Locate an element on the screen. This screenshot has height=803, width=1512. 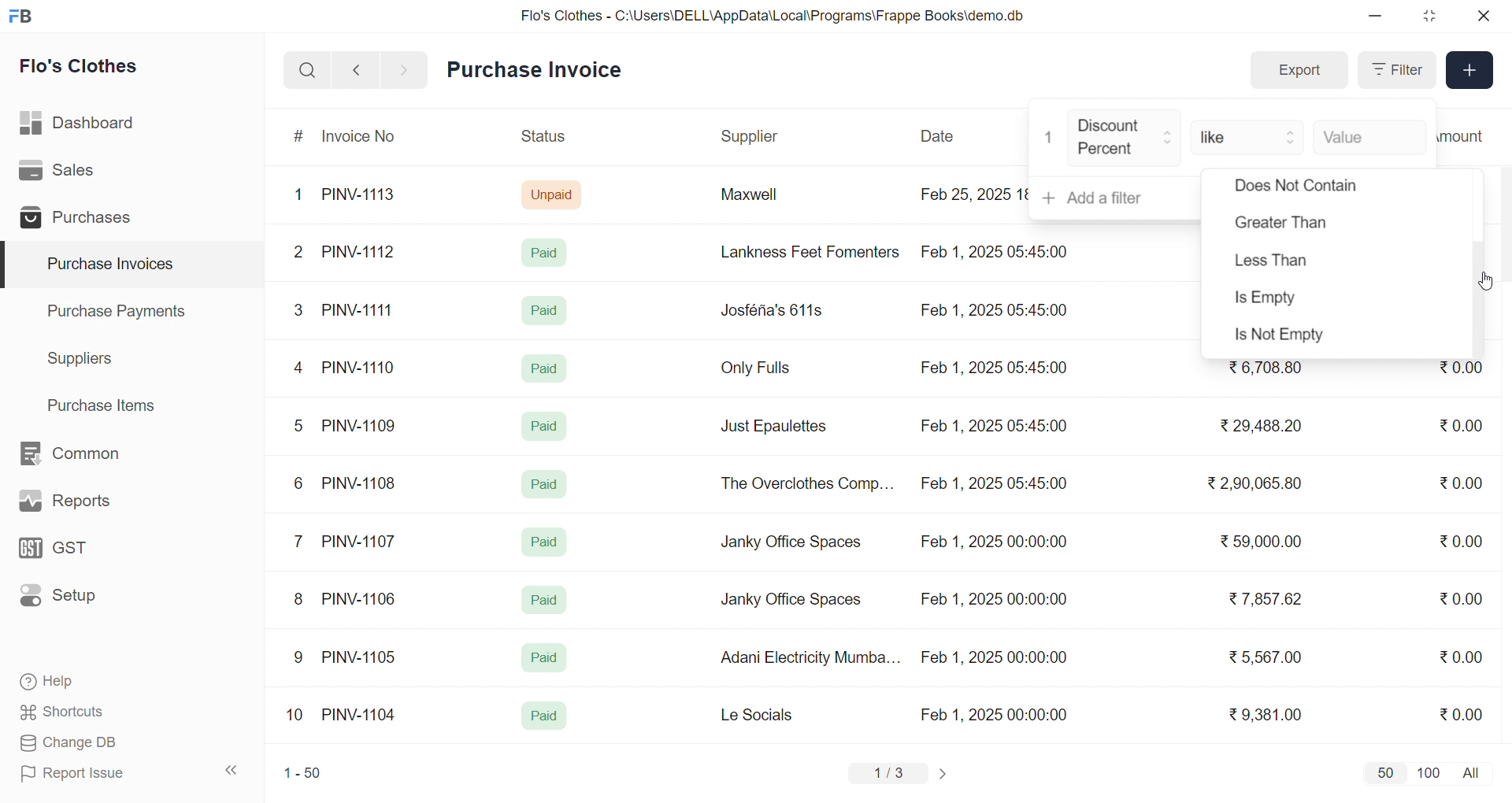
₹6,708.80 is located at coordinates (1265, 368).